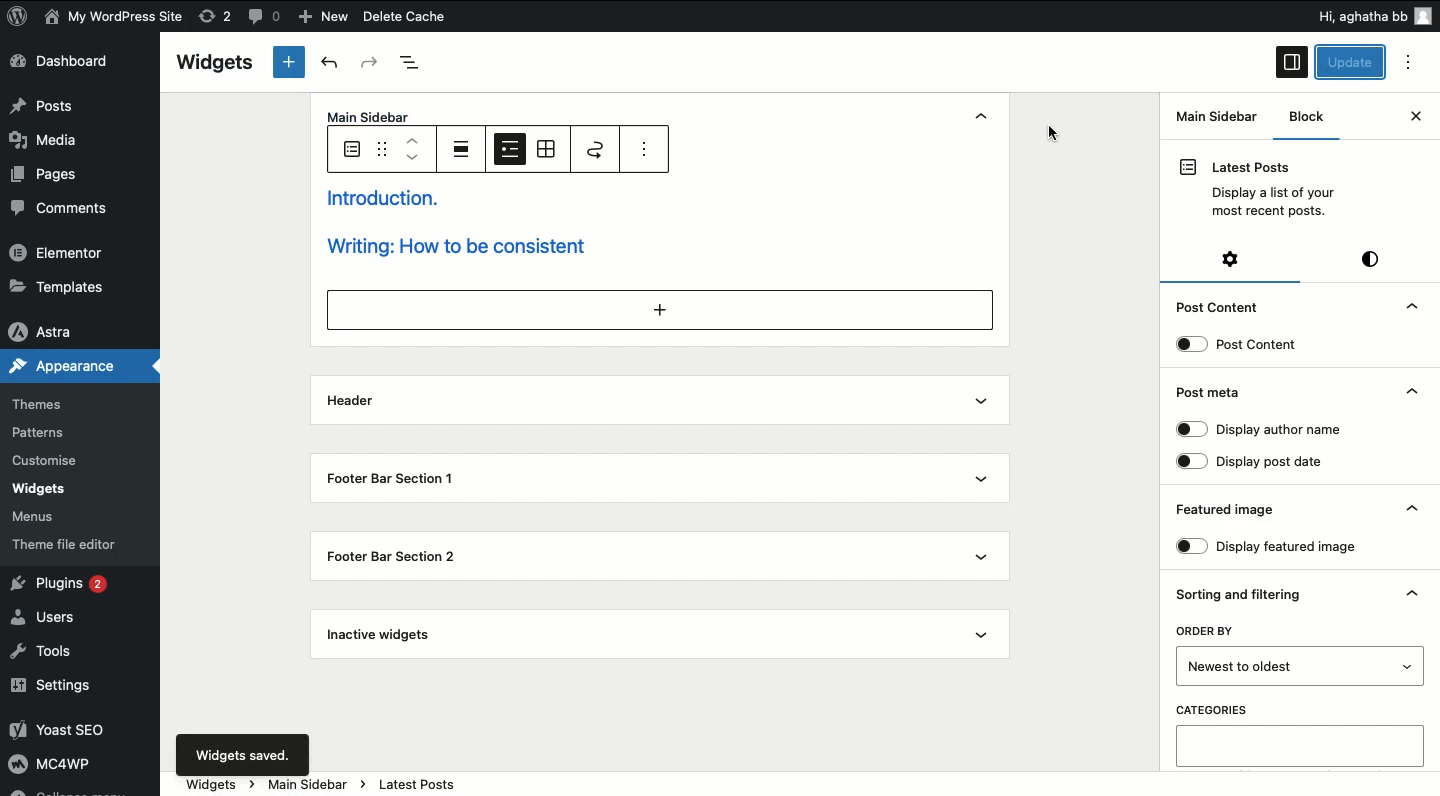 The height and width of the screenshot is (796, 1440). Describe the element at coordinates (39, 515) in the screenshot. I see `‘Menus` at that location.